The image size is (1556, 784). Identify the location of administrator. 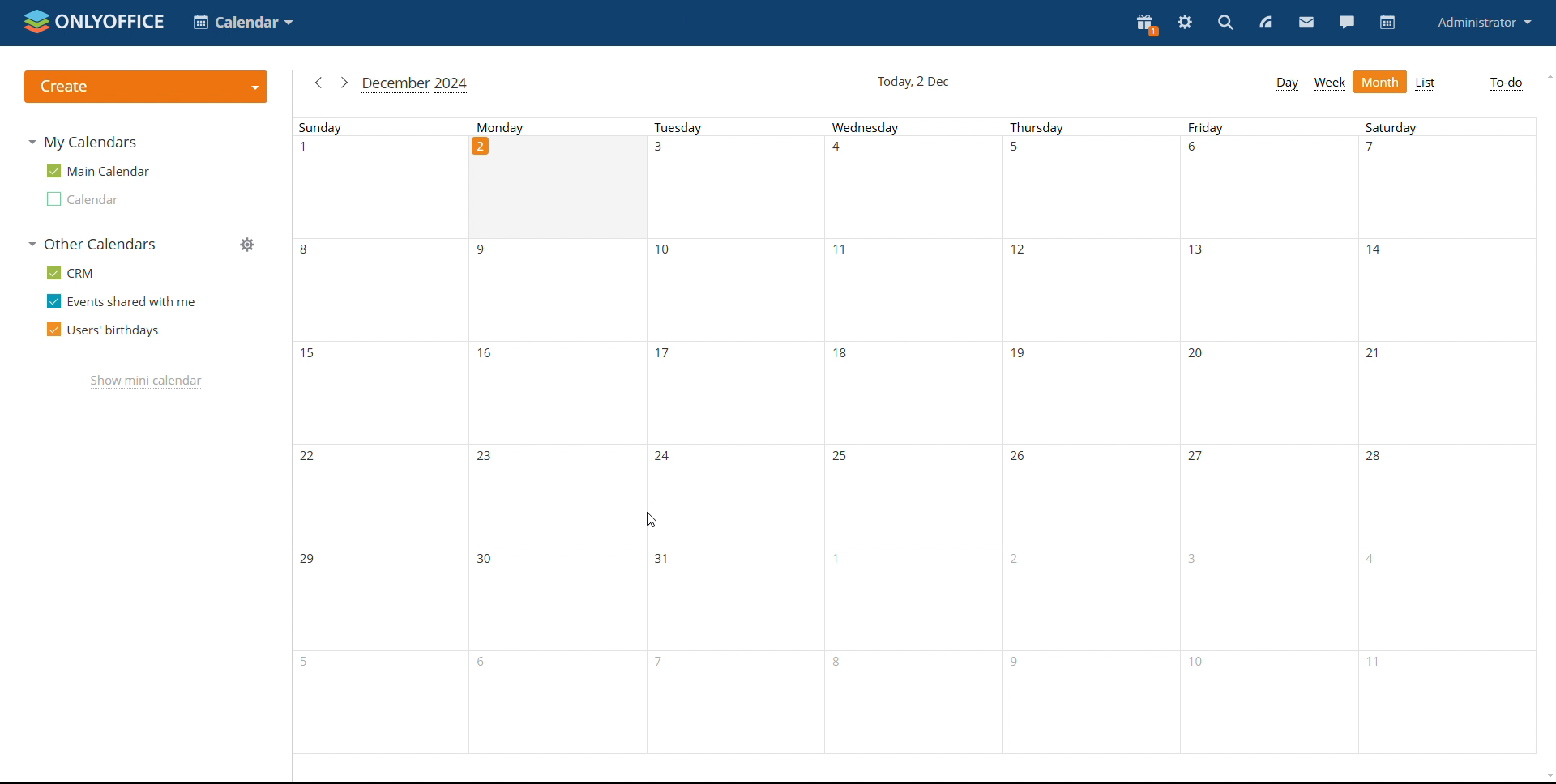
(1485, 23).